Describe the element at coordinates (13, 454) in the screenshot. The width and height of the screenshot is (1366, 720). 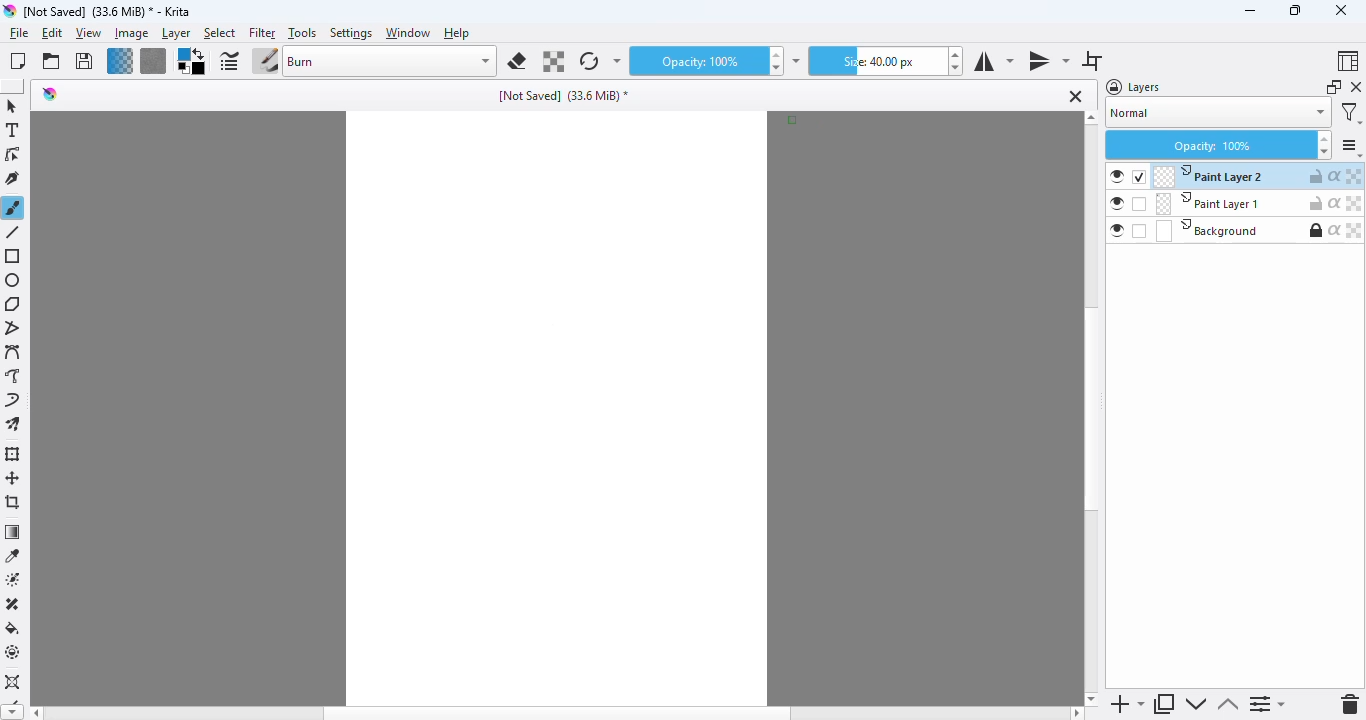
I see `transform a layer or a selection` at that location.